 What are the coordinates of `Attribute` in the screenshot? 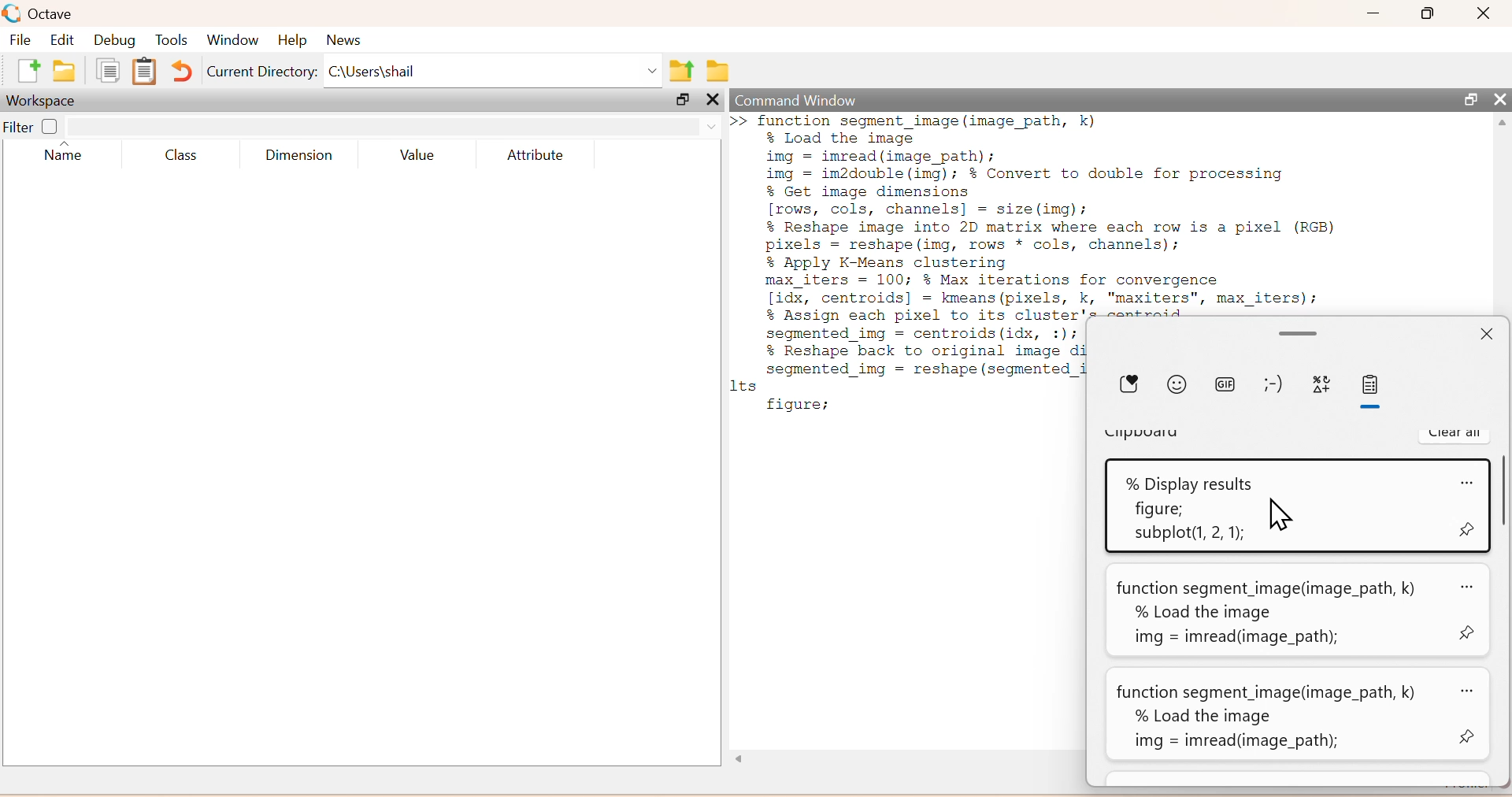 It's located at (532, 156).